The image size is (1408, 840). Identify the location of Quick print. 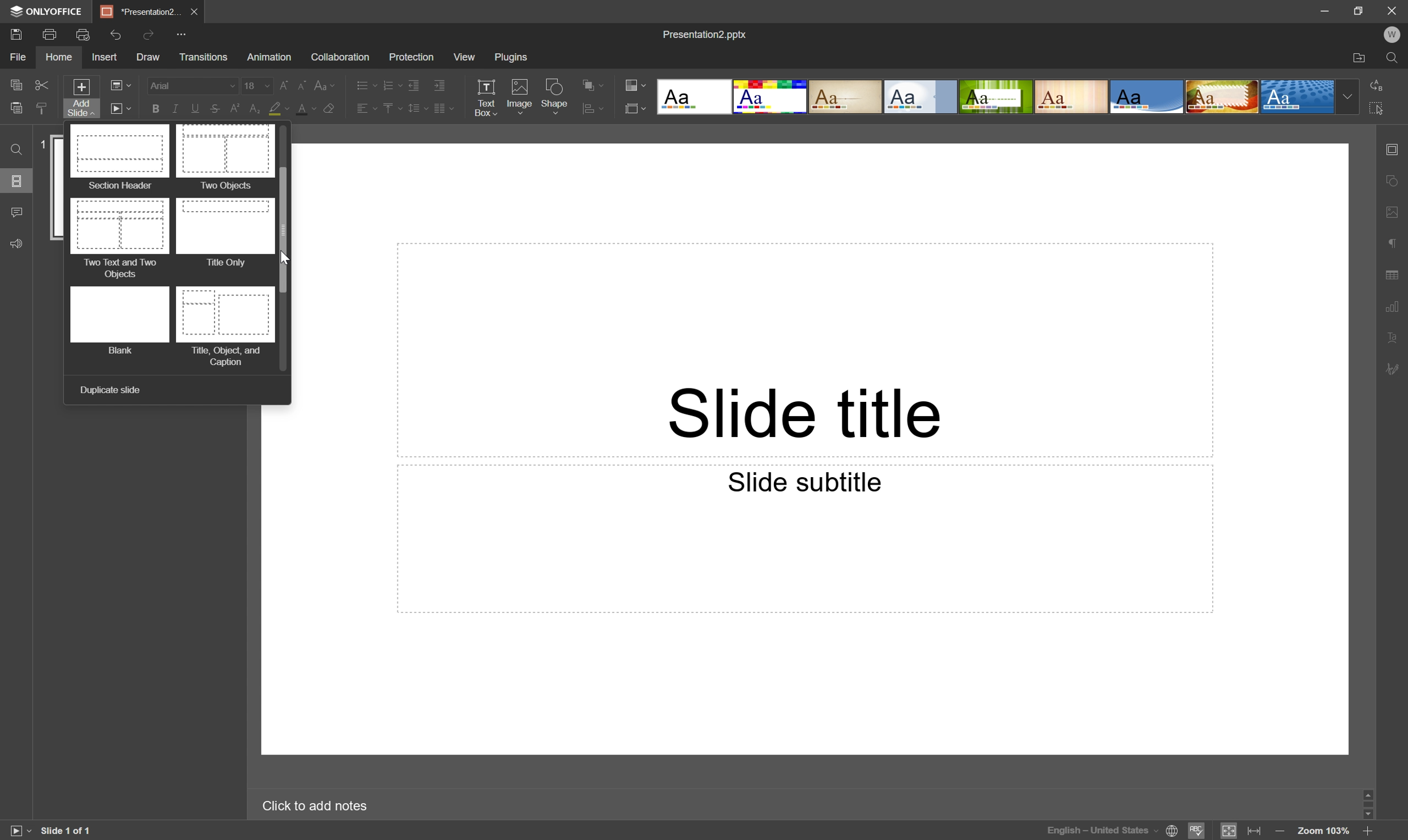
(84, 33).